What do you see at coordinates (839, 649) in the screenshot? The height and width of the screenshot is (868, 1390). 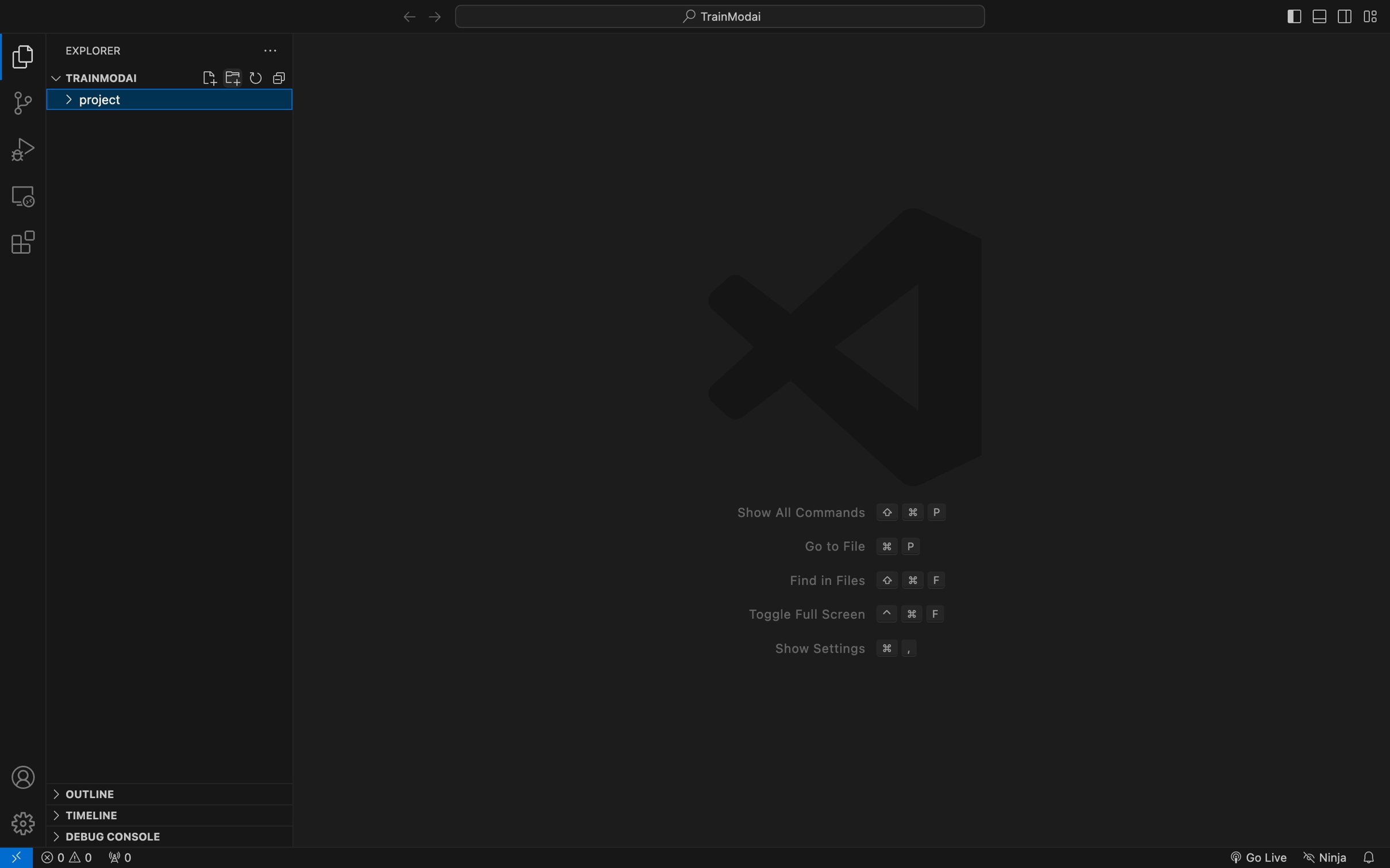 I see `Show settings` at bounding box center [839, 649].